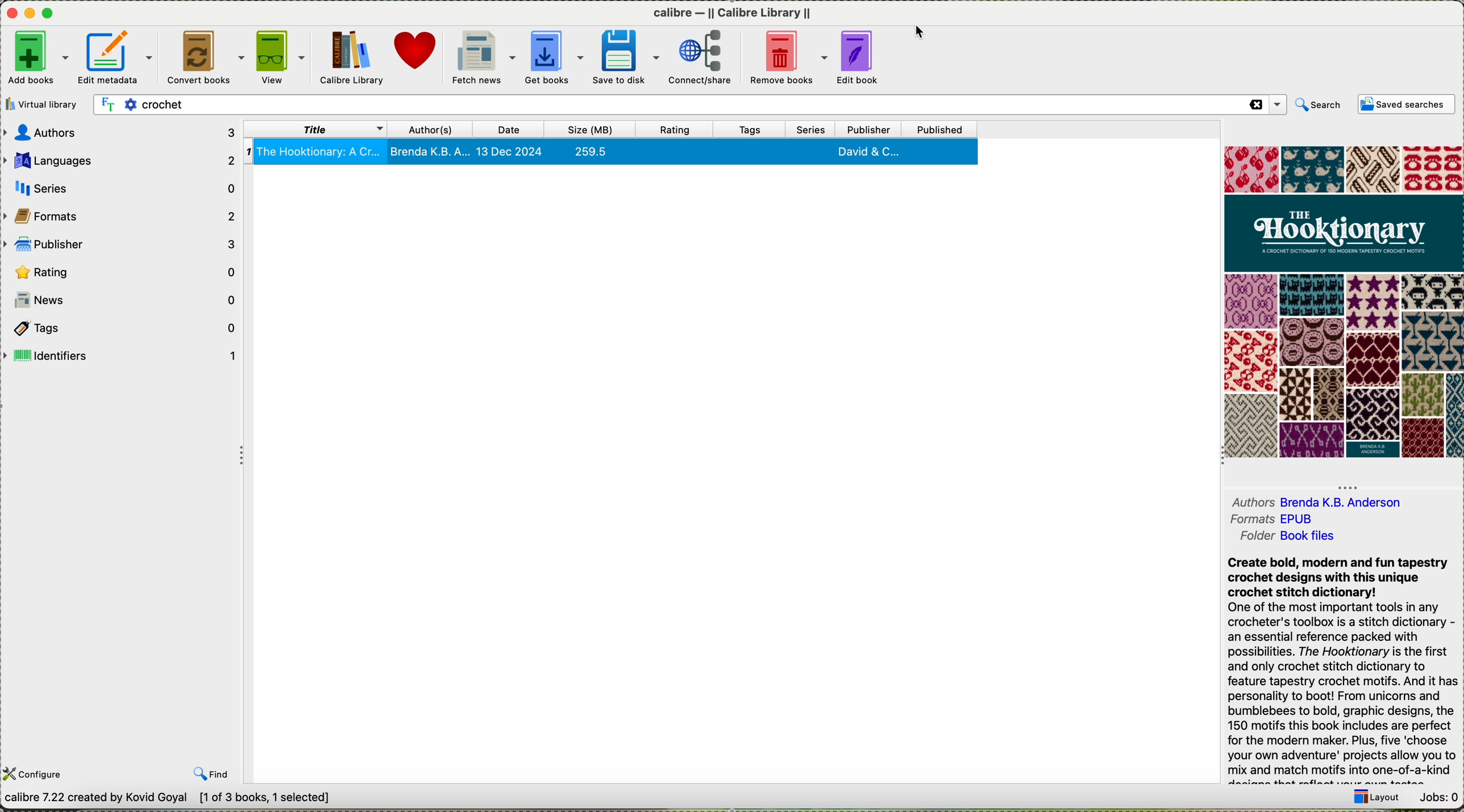 This screenshot has width=1464, height=812. Describe the element at coordinates (875, 129) in the screenshot. I see `publisher` at that location.